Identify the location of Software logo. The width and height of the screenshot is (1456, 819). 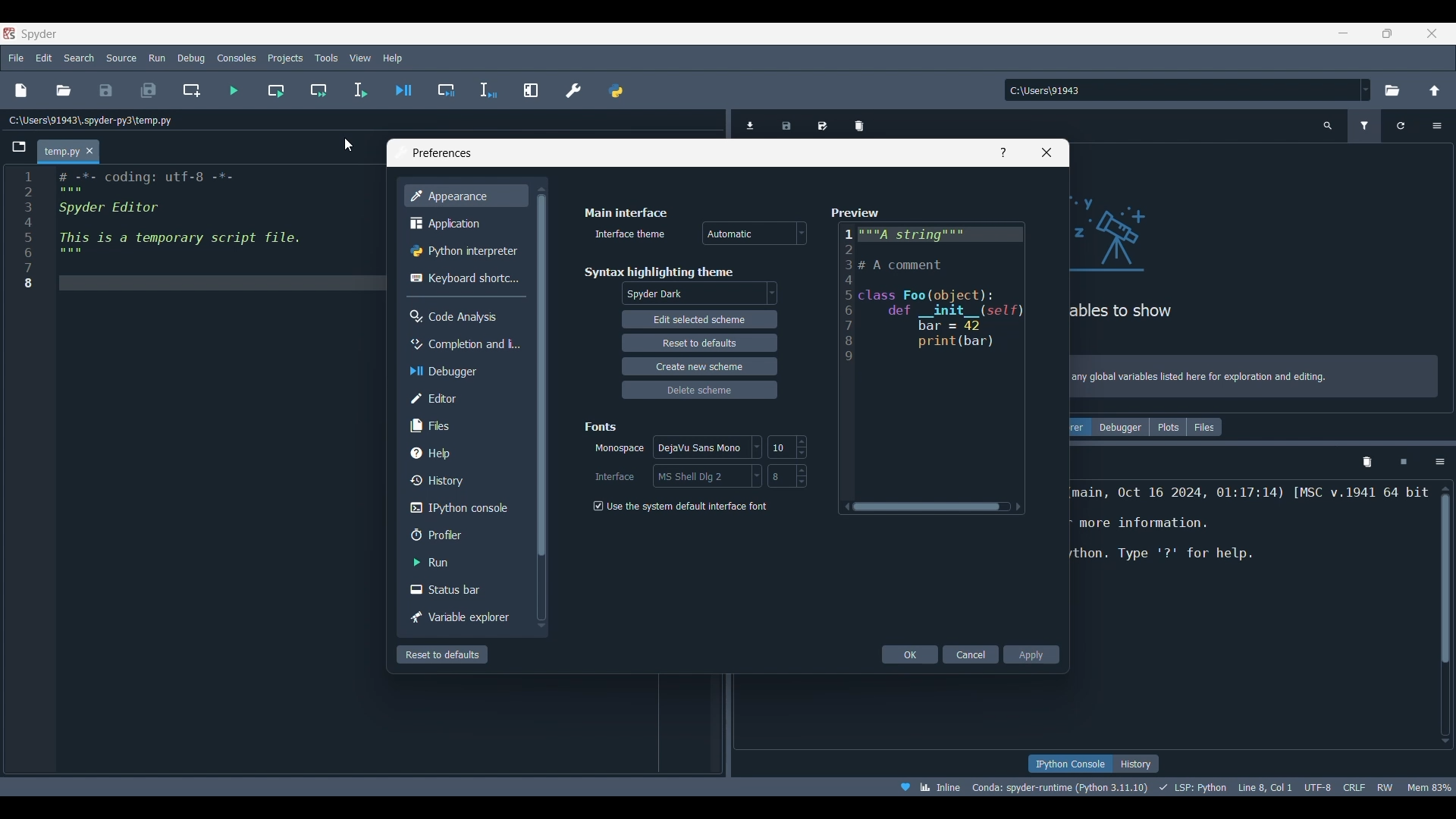
(9, 33).